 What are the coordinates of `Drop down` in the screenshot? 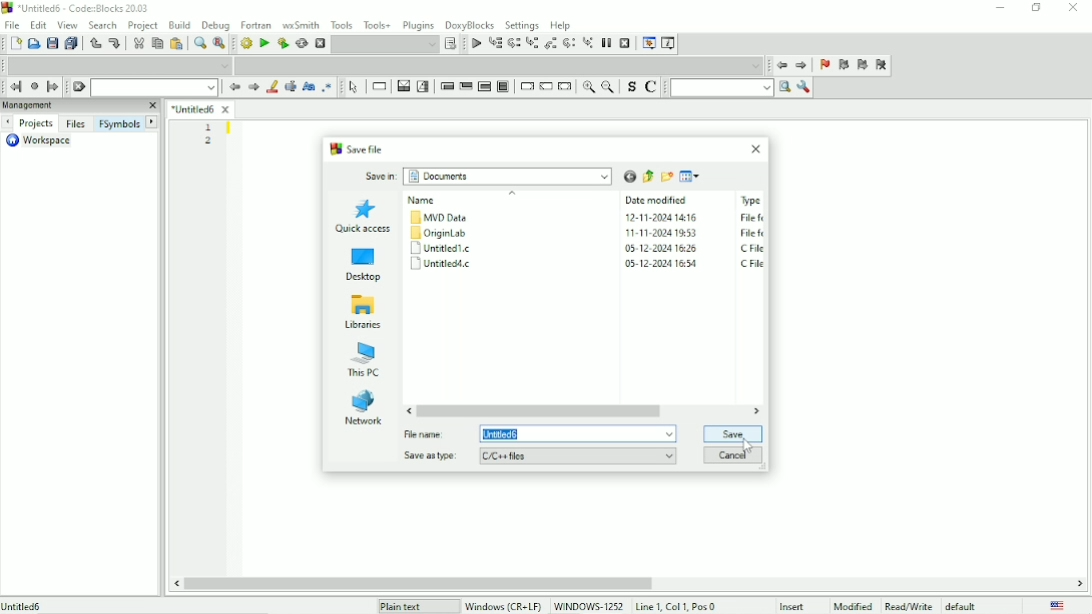 It's located at (153, 88).